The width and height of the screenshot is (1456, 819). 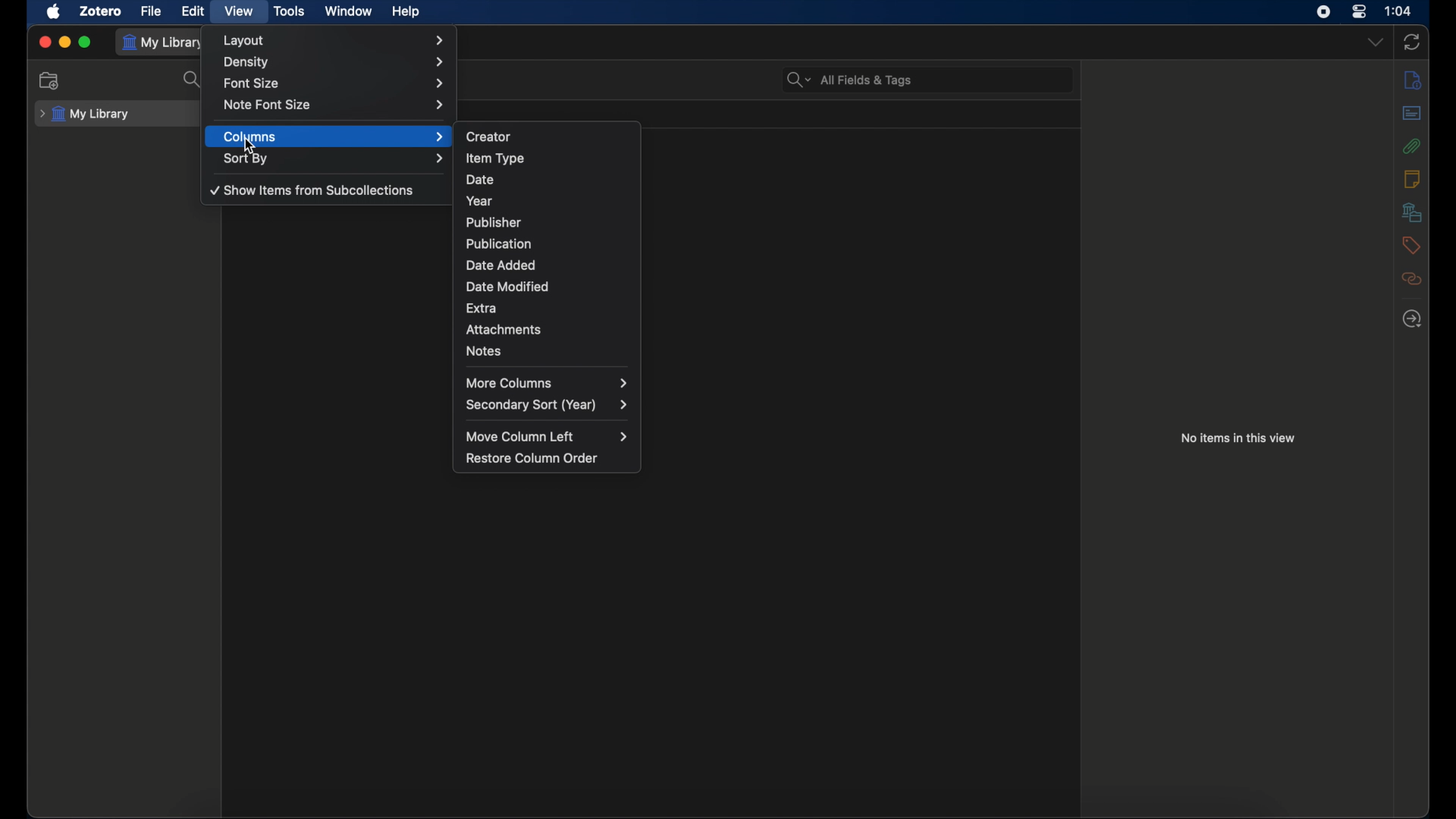 What do you see at coordinates (64, 42) in the screenshot?
I see `minimize` at bounding box center [64, 42].